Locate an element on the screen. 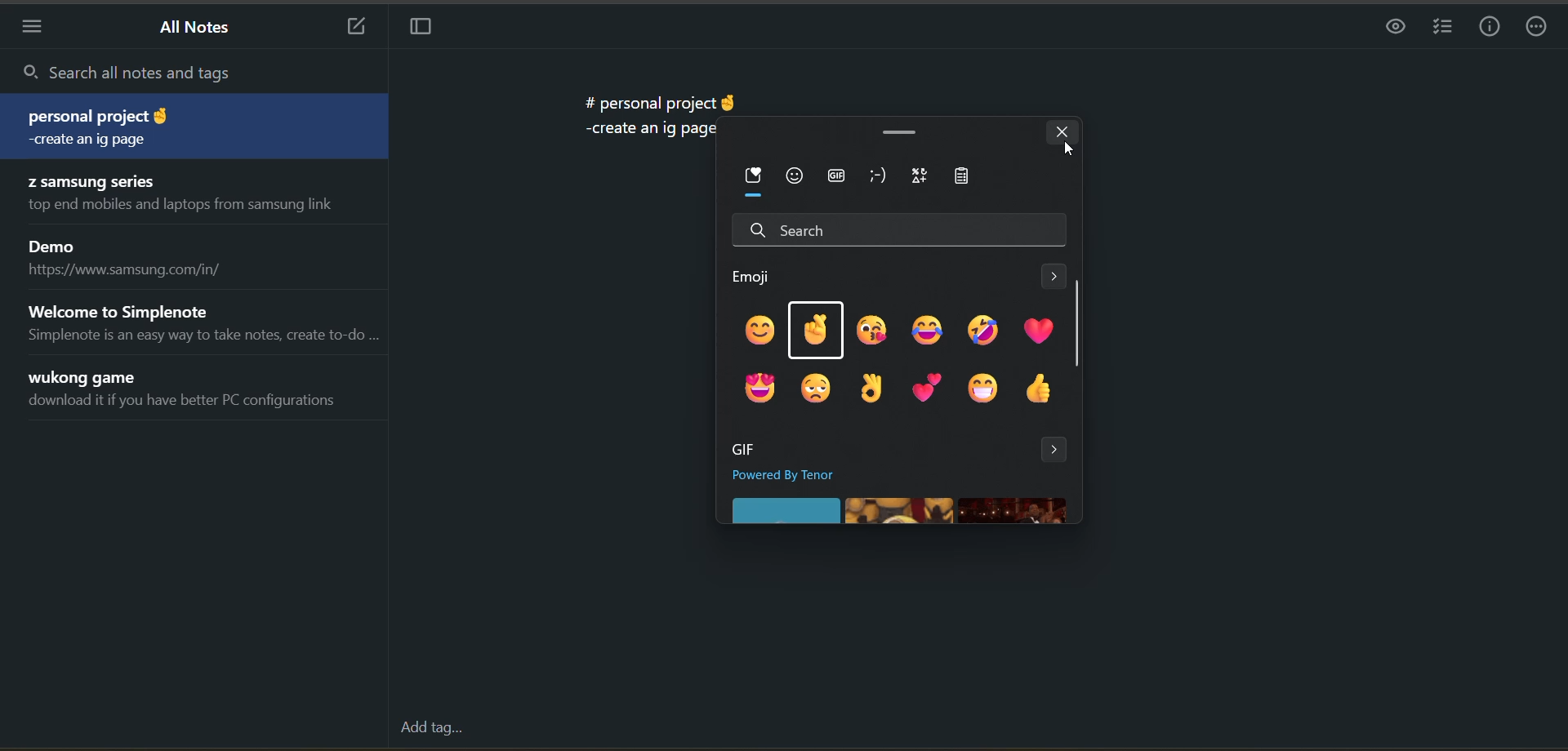 Image resolution: width=1568 pixels, height=751 pixels. actions is located at coordinates (1539, 28).